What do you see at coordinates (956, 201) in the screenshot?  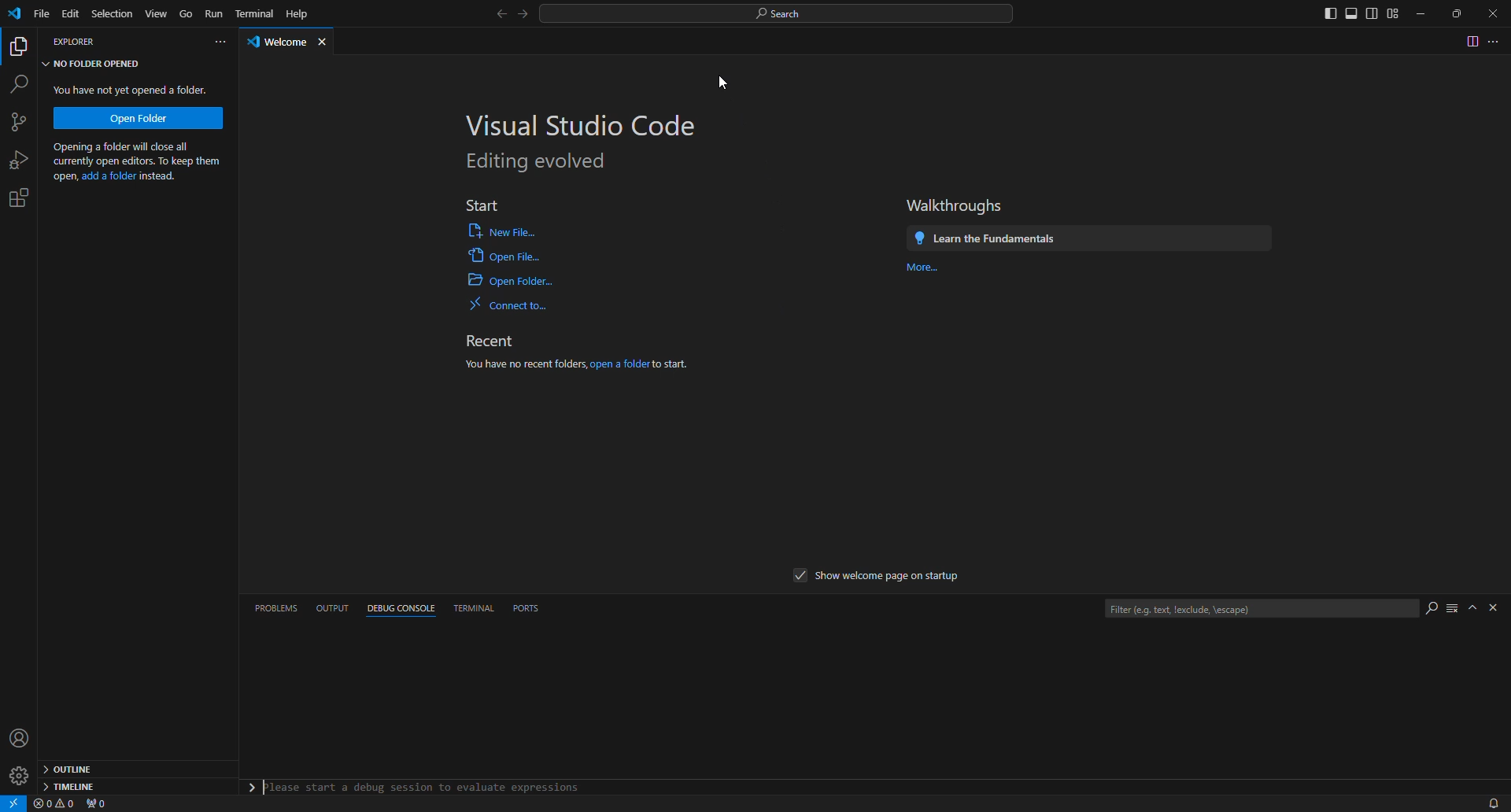 I see `Walkthroughs` at bounding box center [956, 201].